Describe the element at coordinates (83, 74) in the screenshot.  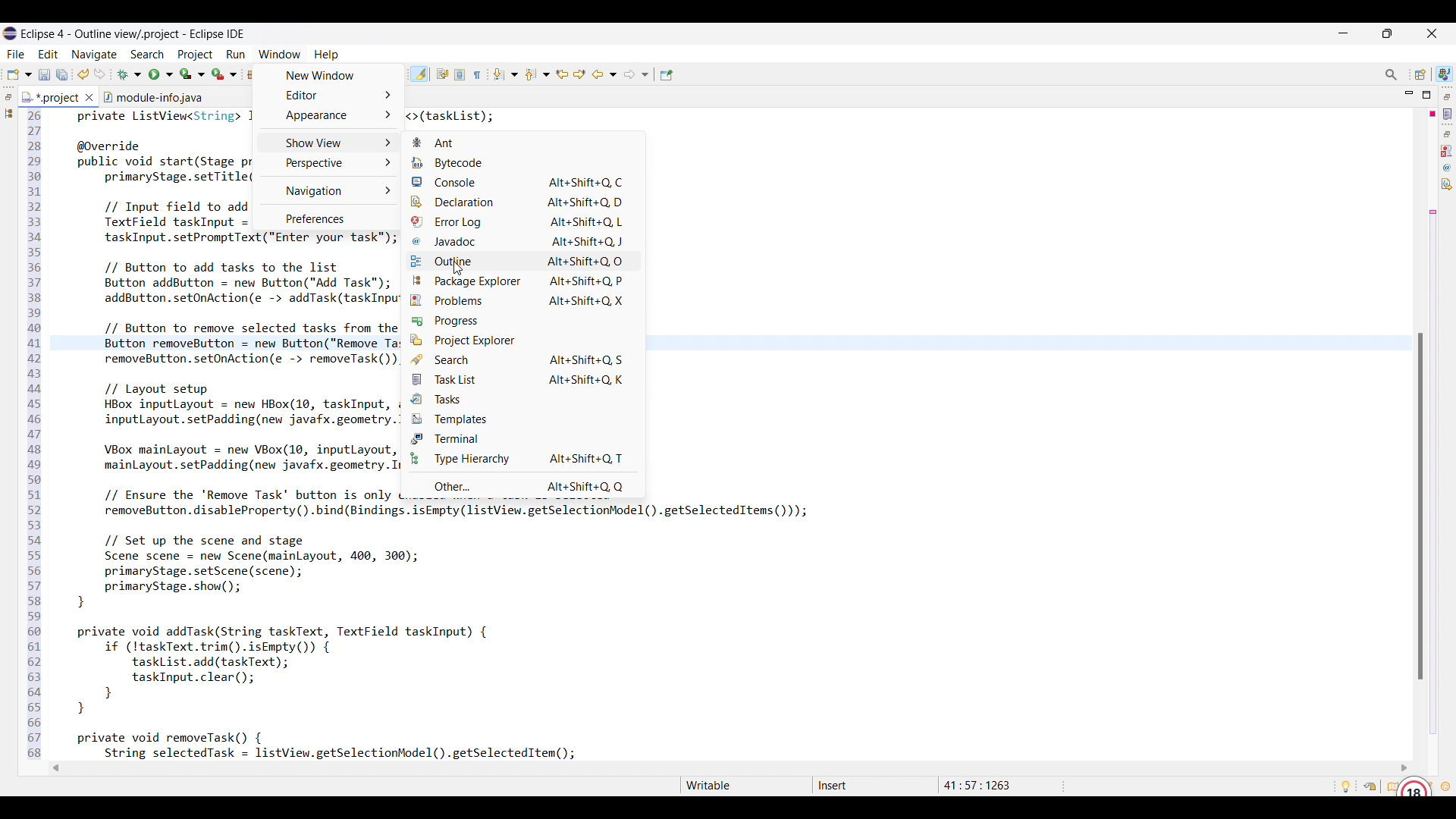
I see `Undo` at that location.